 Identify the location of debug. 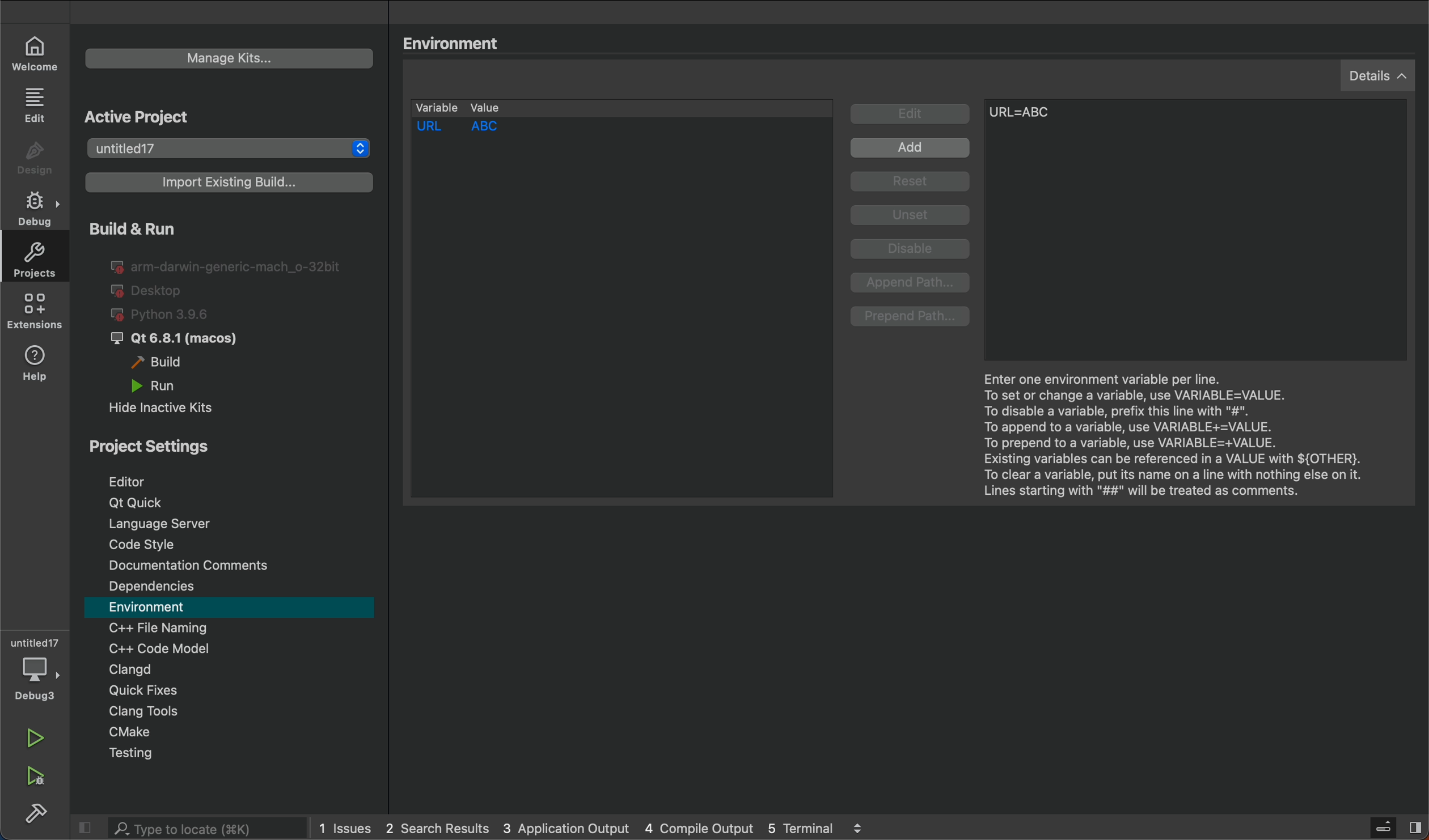
(39, 669).